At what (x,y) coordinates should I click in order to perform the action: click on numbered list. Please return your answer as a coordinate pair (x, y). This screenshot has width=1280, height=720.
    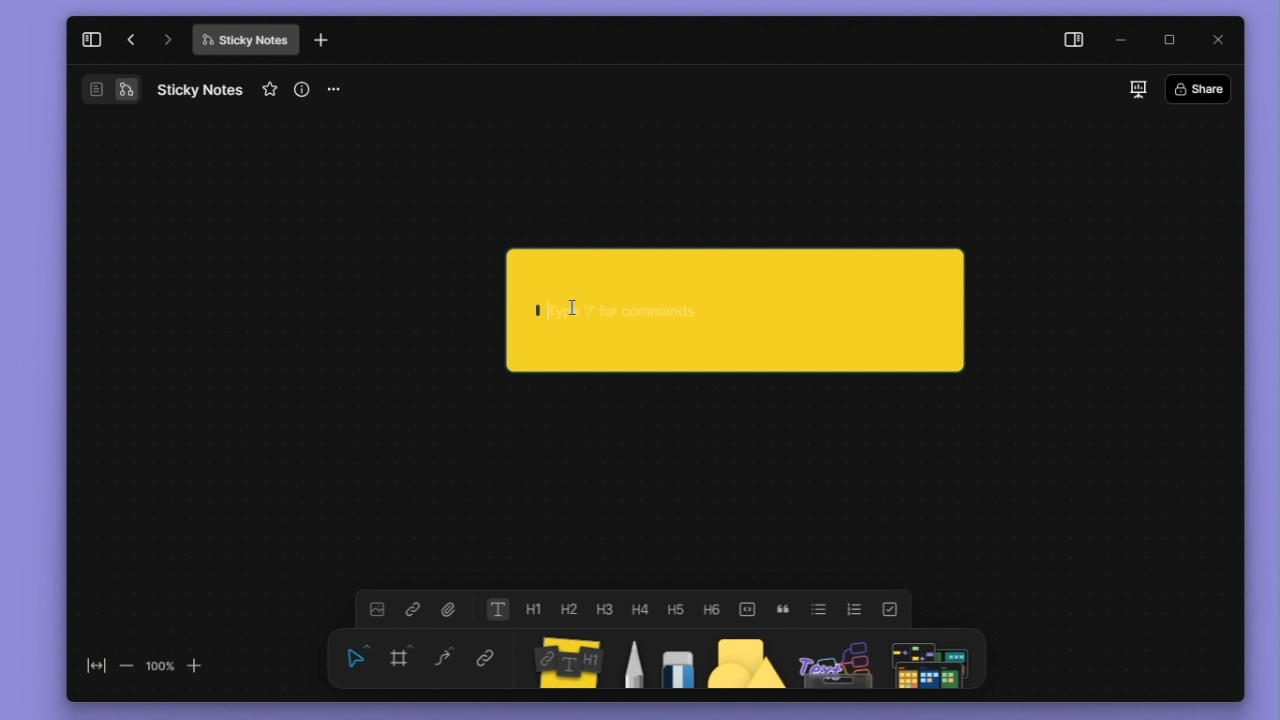
    Looking at the image, I should click on (855, 609).